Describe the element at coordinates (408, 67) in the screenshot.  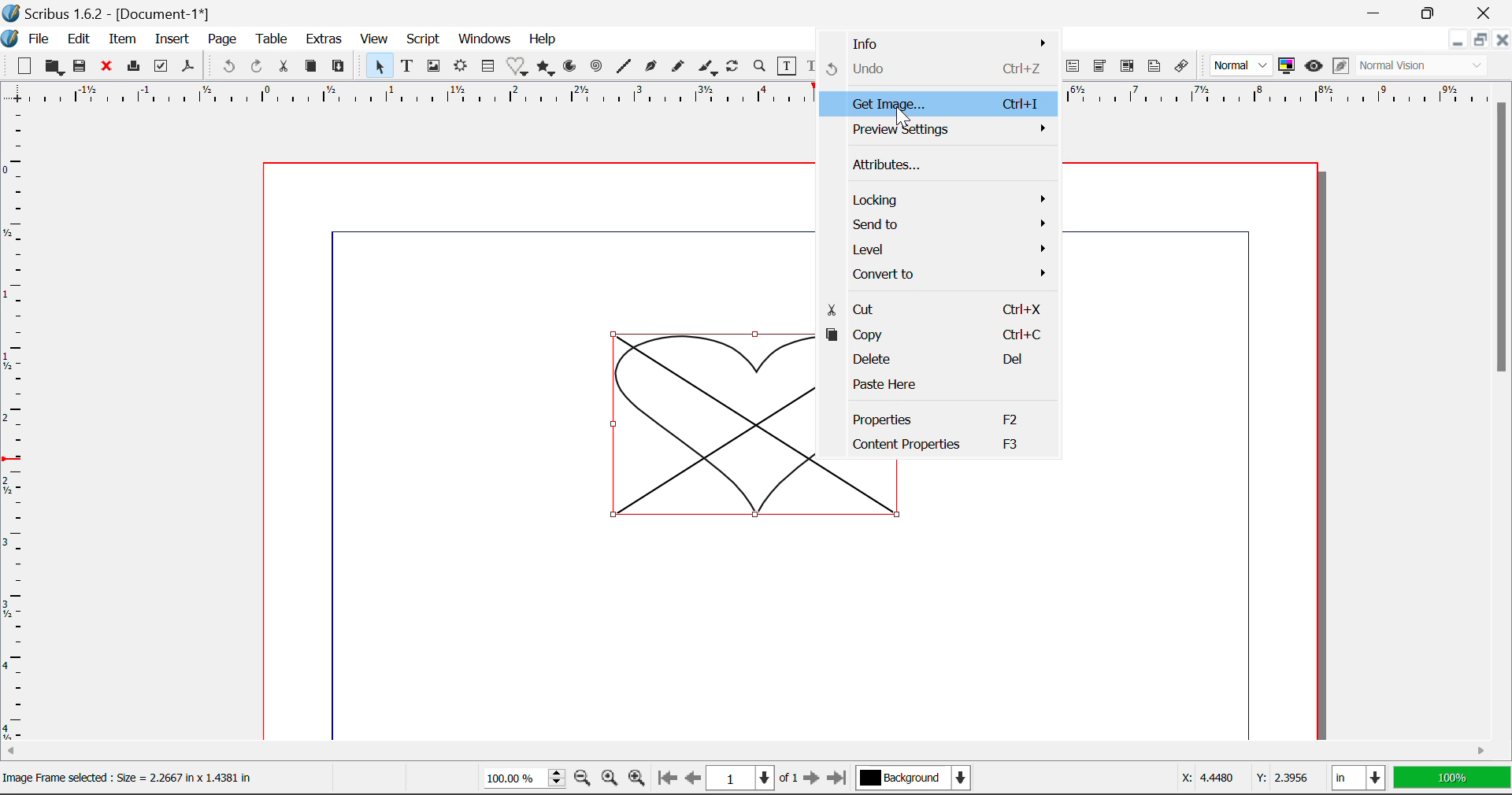
I see `Text Frames` at that location.